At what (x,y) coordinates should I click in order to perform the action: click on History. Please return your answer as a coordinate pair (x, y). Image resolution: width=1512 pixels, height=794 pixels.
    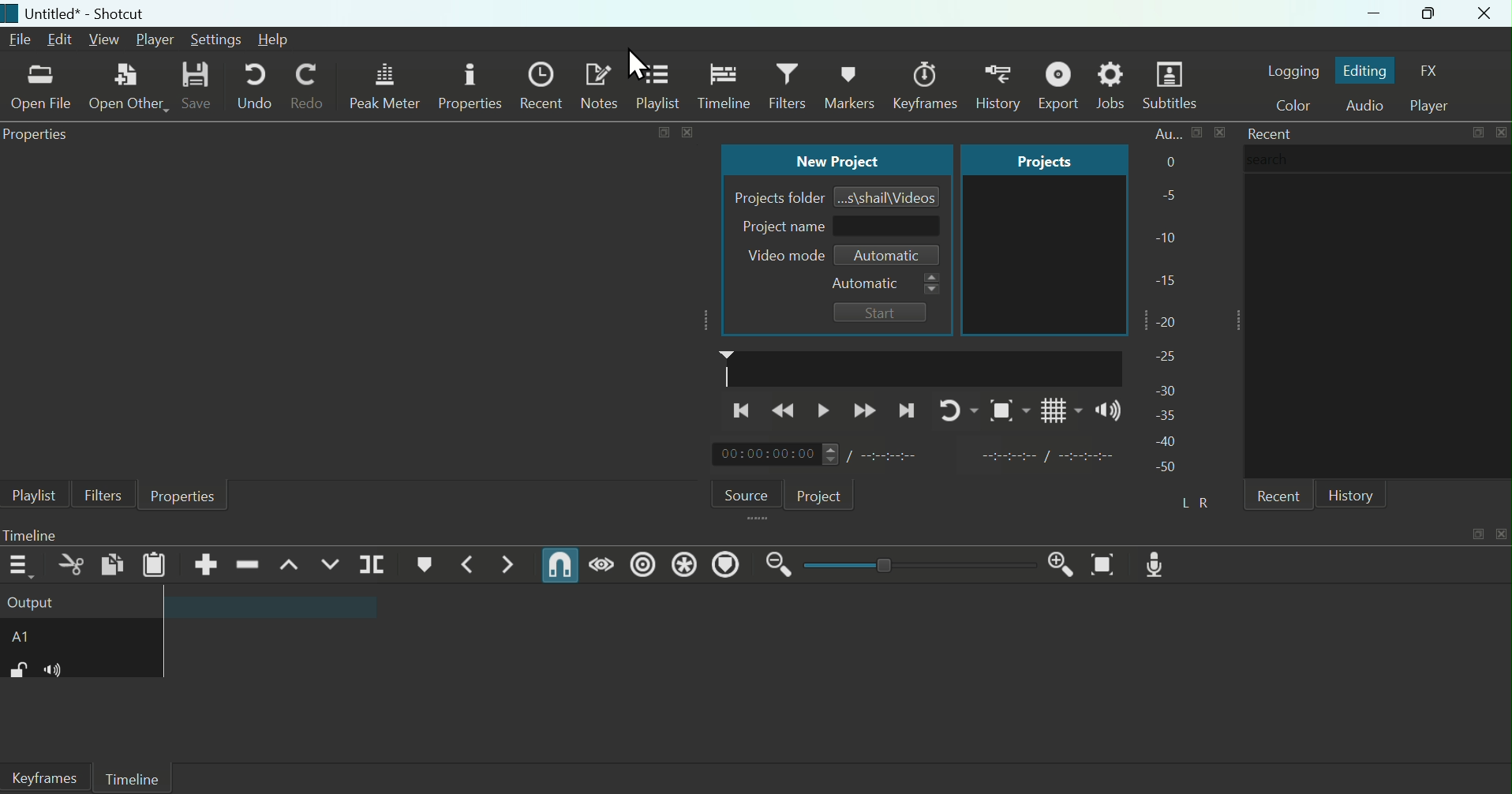
    Looking at the image, I should click on (1354, 493).